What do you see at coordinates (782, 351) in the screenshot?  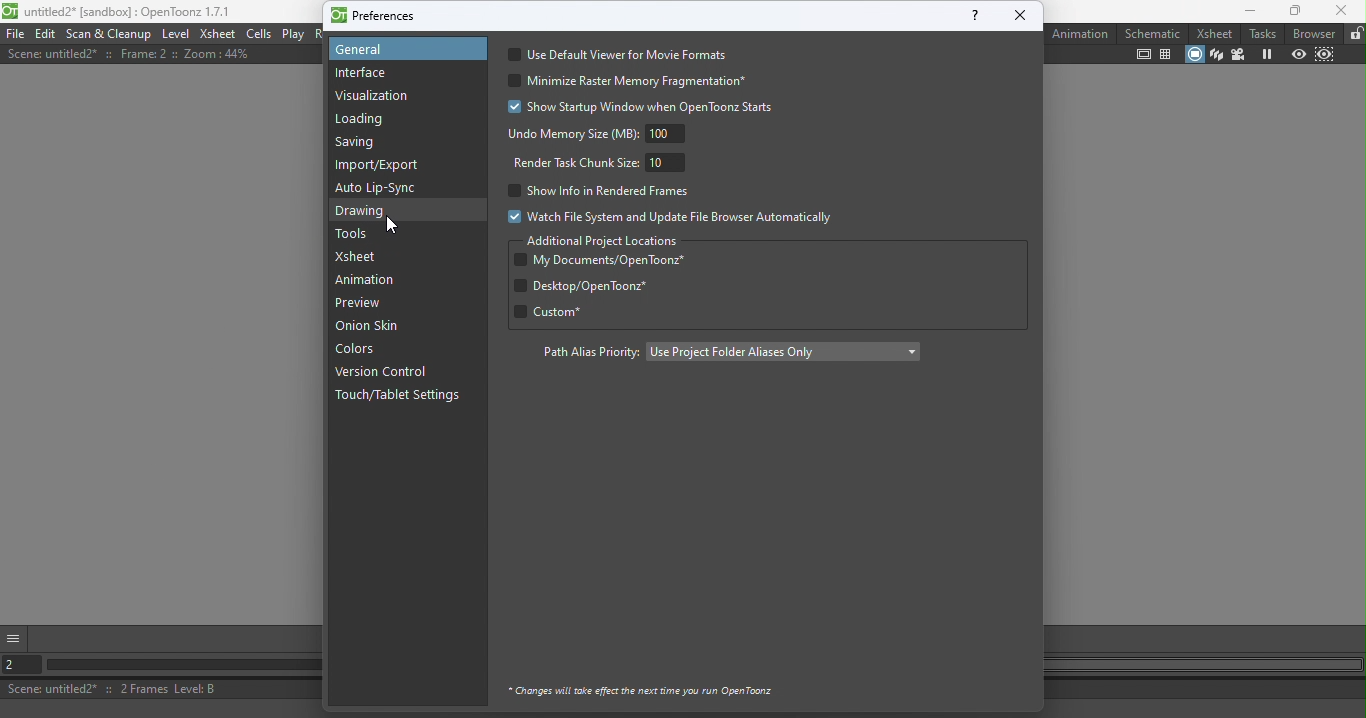 I see `Drop down menu` at bounding box center [782, 351].